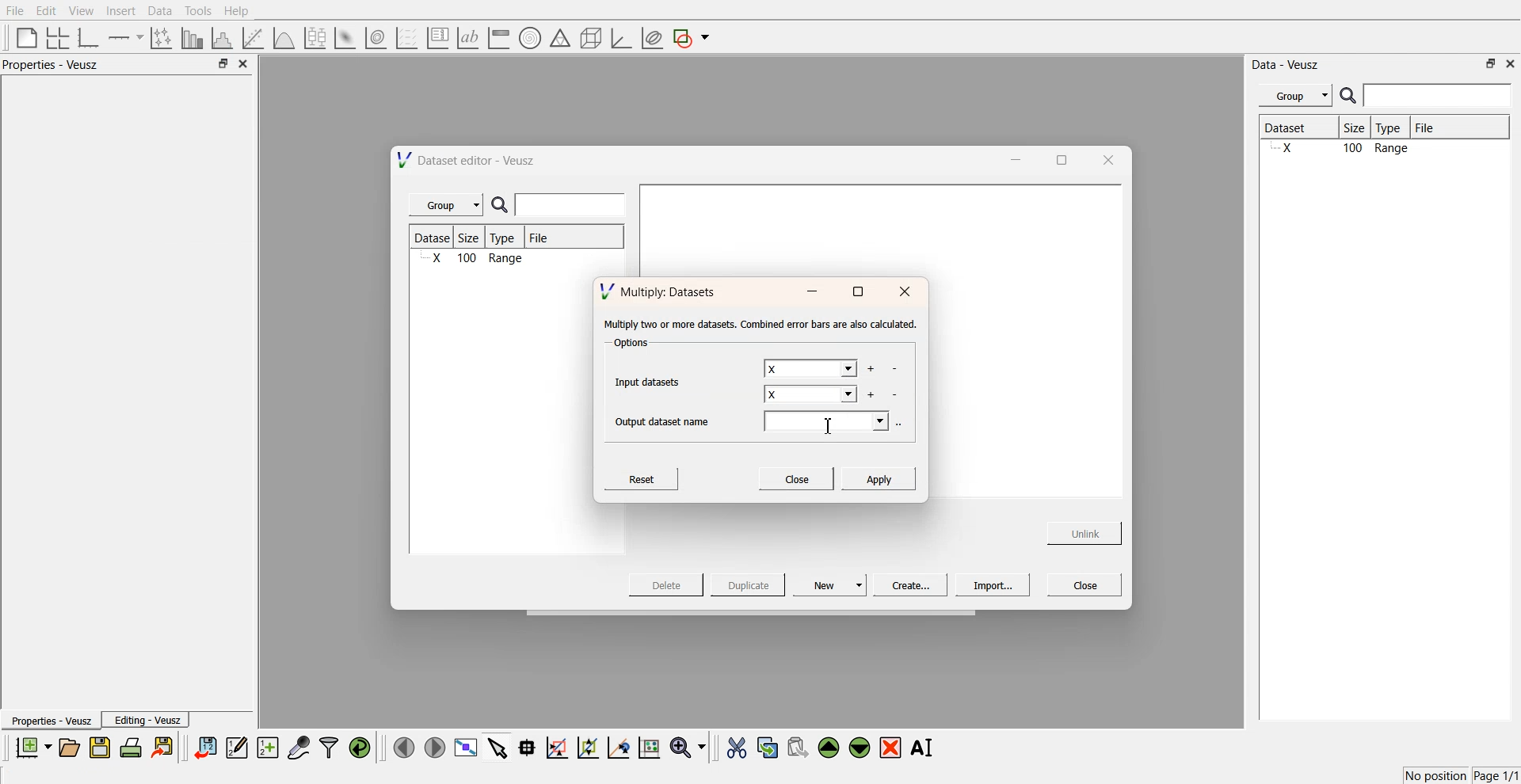 This screenshot has height=784, width=1521. Describe the element at coordinates (556, 746) in the screenshot. I see `draw a rectangle on zoom graph axes` at that location.